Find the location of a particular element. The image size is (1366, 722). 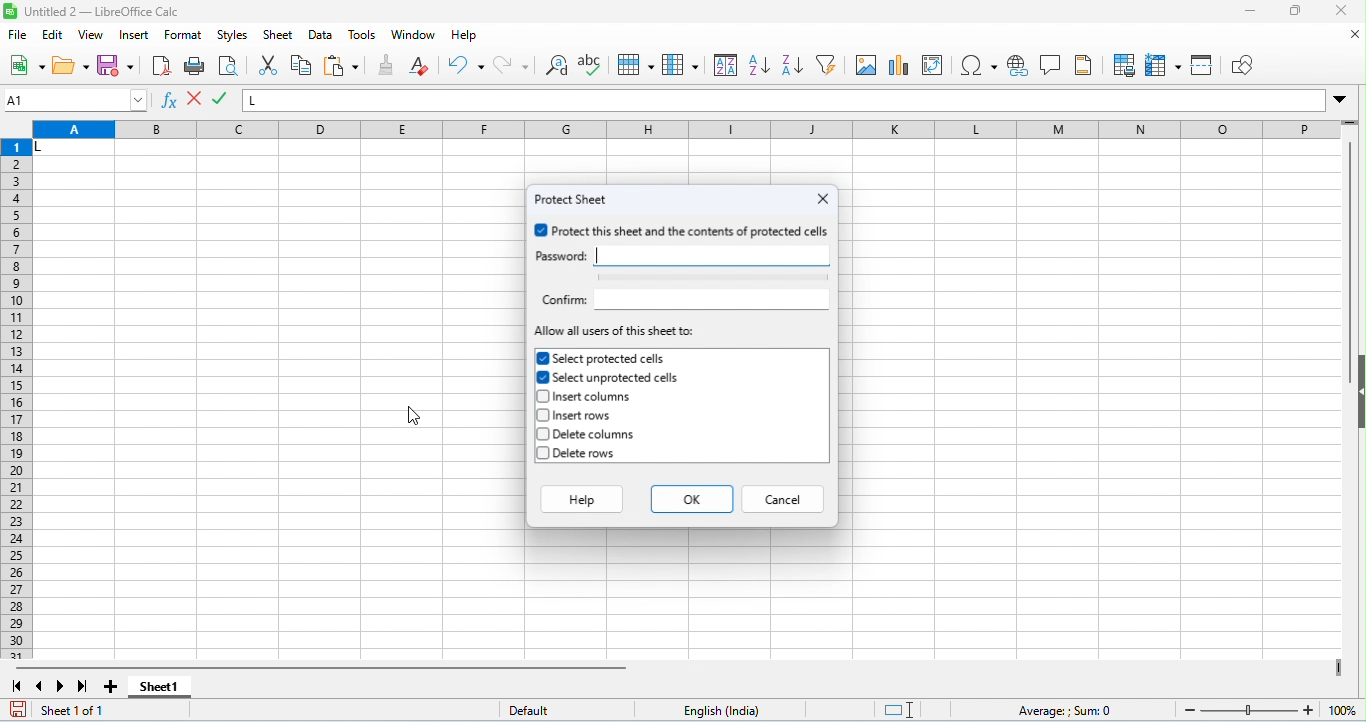

show draw functions is located at coordinates (1240, 66).